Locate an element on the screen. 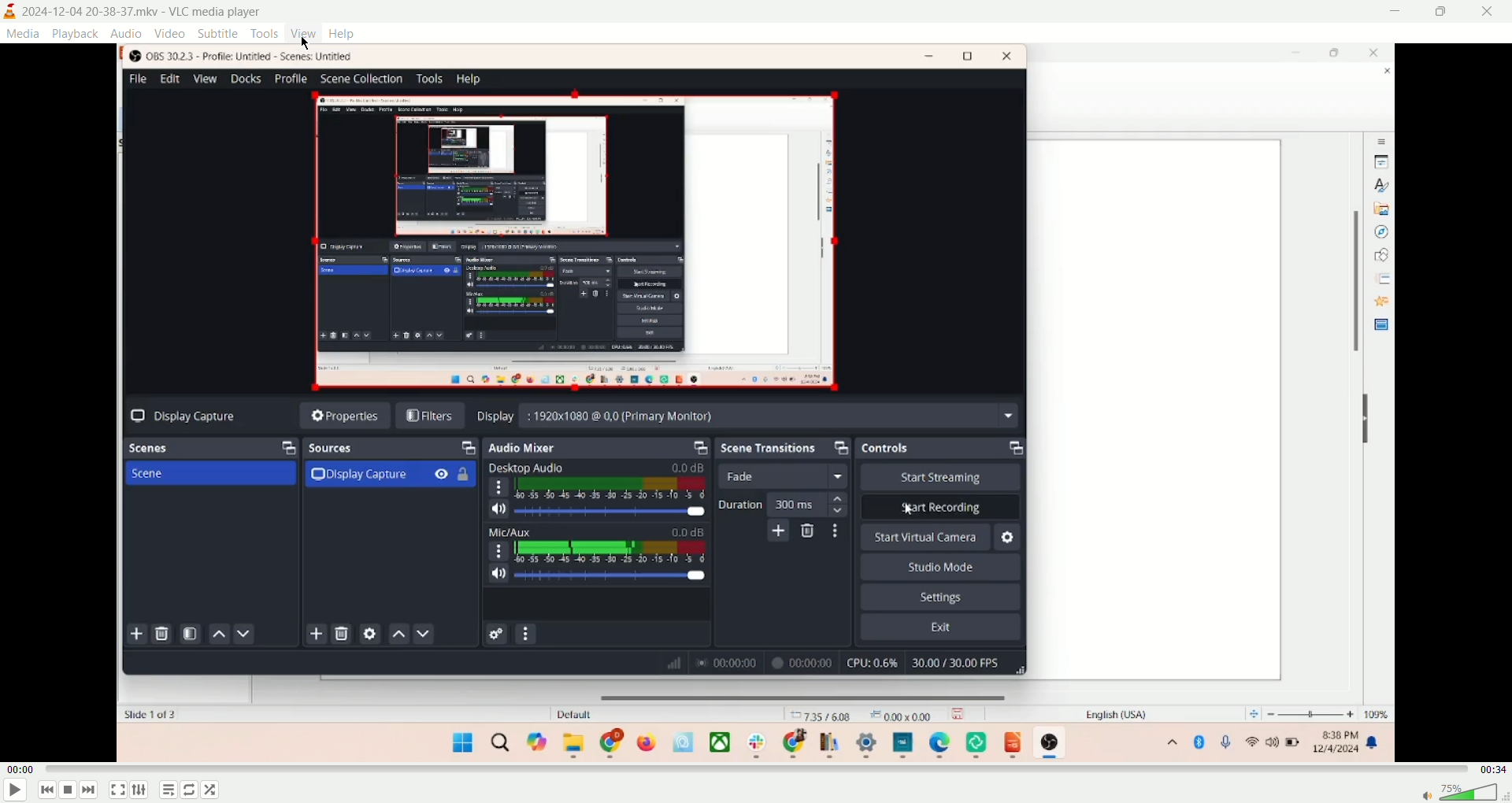 This screenshot has height=803, width=1512. help is located at coordinates (342, 34).